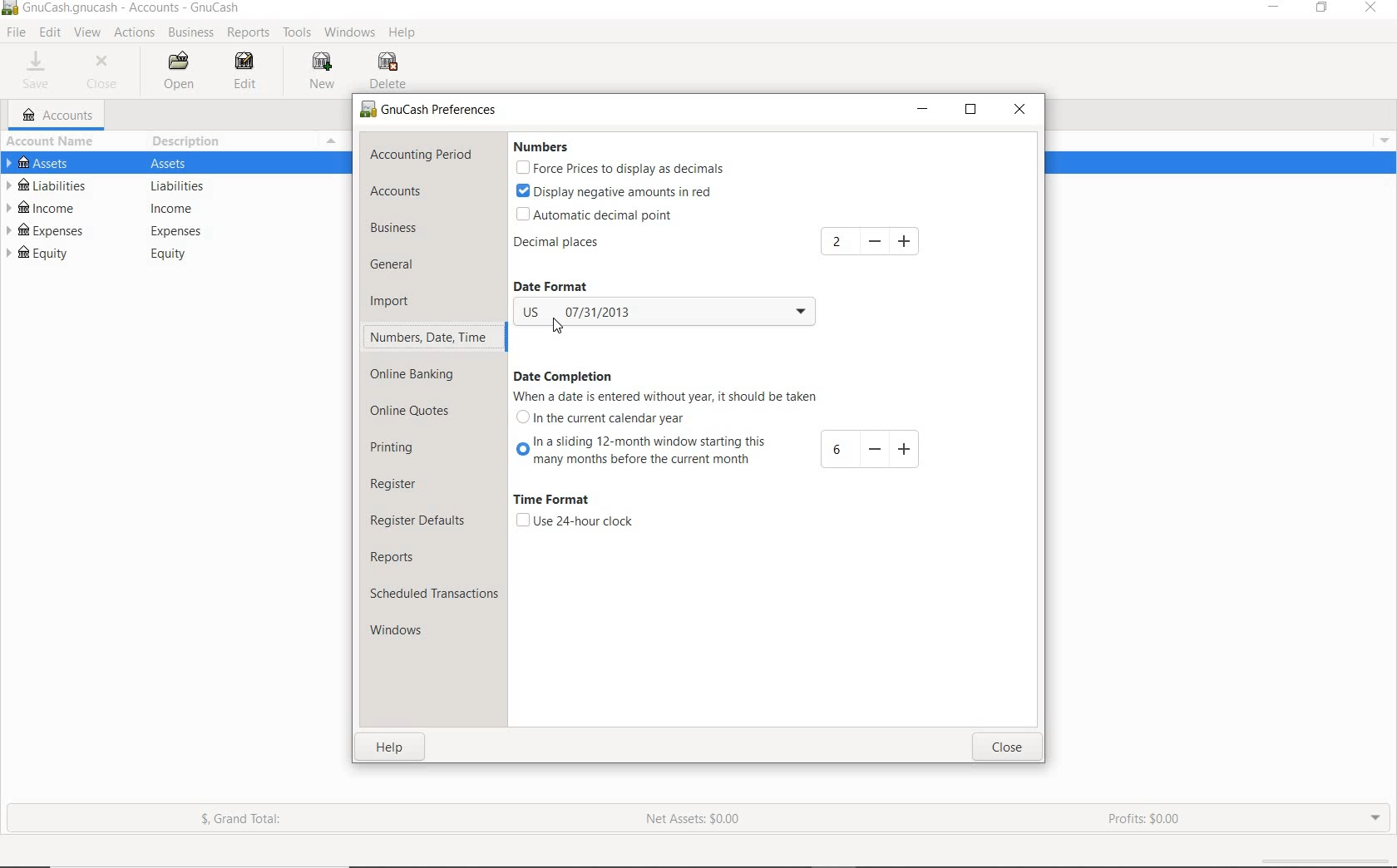 Image resolution: width=1397 pixels, height=868 pixels. Describe the element at coordinates (1020, 111) in the screenshot. I see `close` at that location.